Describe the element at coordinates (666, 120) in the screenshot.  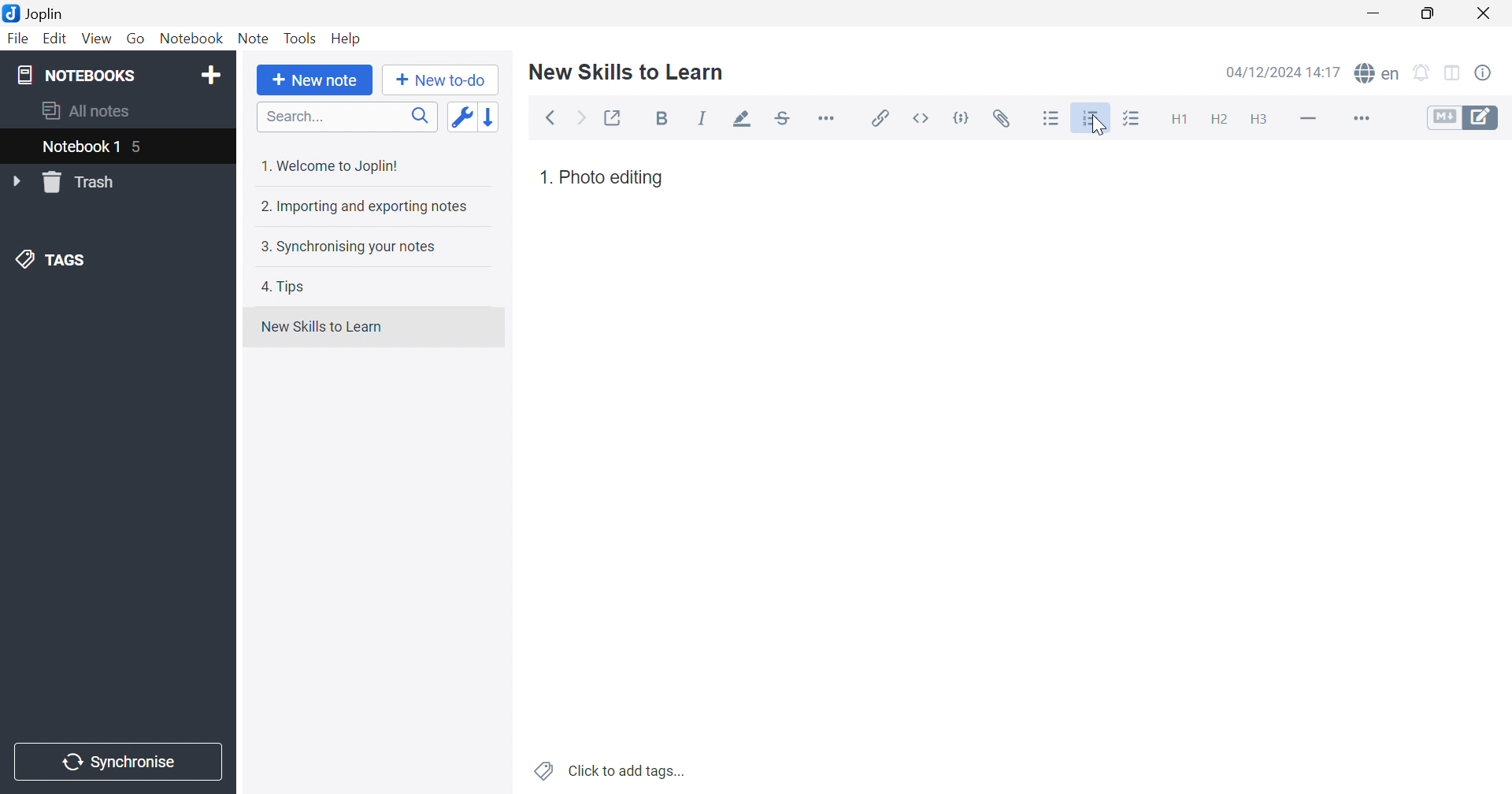
I see `Bold` at that location.